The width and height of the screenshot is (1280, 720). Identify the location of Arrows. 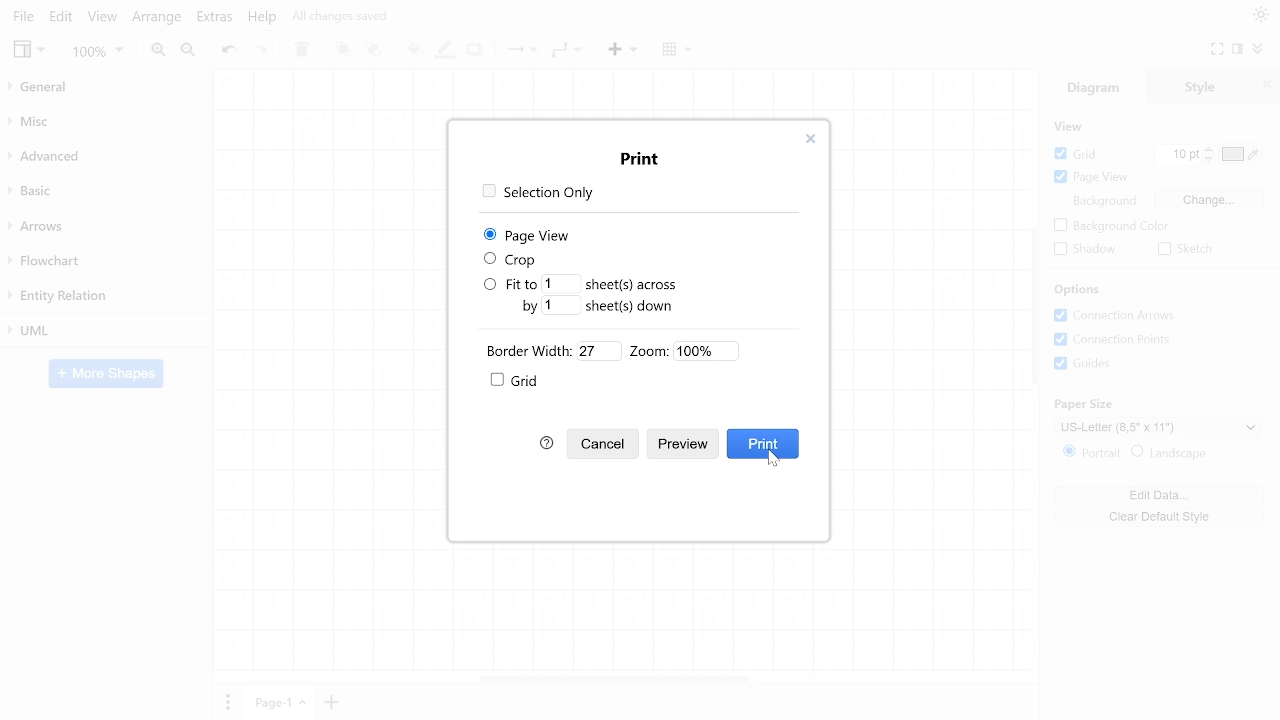
(105, 225).